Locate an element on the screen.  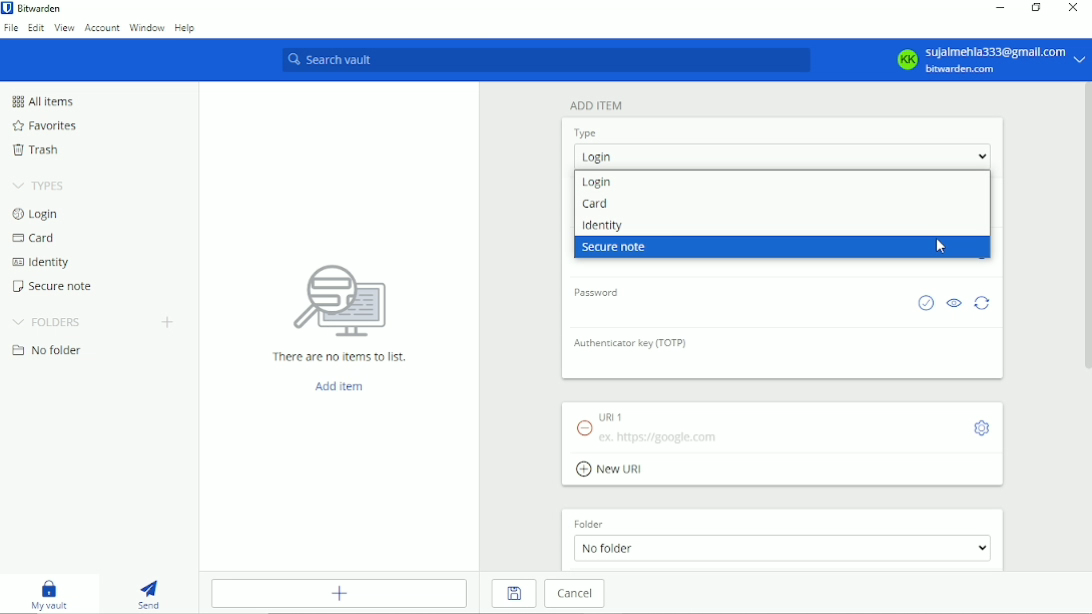
Card is located at coordinates (596, 205).